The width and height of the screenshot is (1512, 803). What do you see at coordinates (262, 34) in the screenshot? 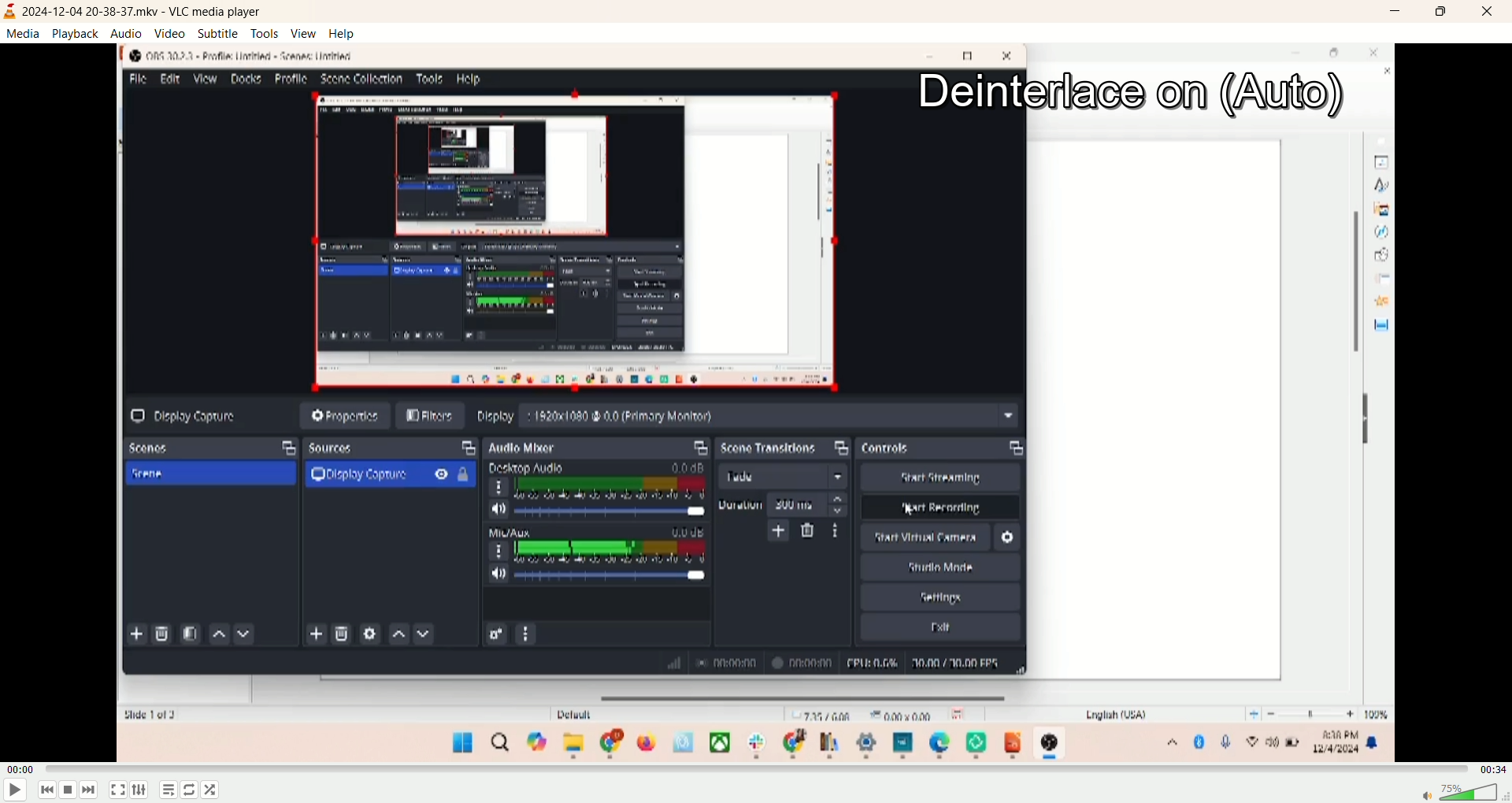
I see `tools` at bounding box center [262, 34].